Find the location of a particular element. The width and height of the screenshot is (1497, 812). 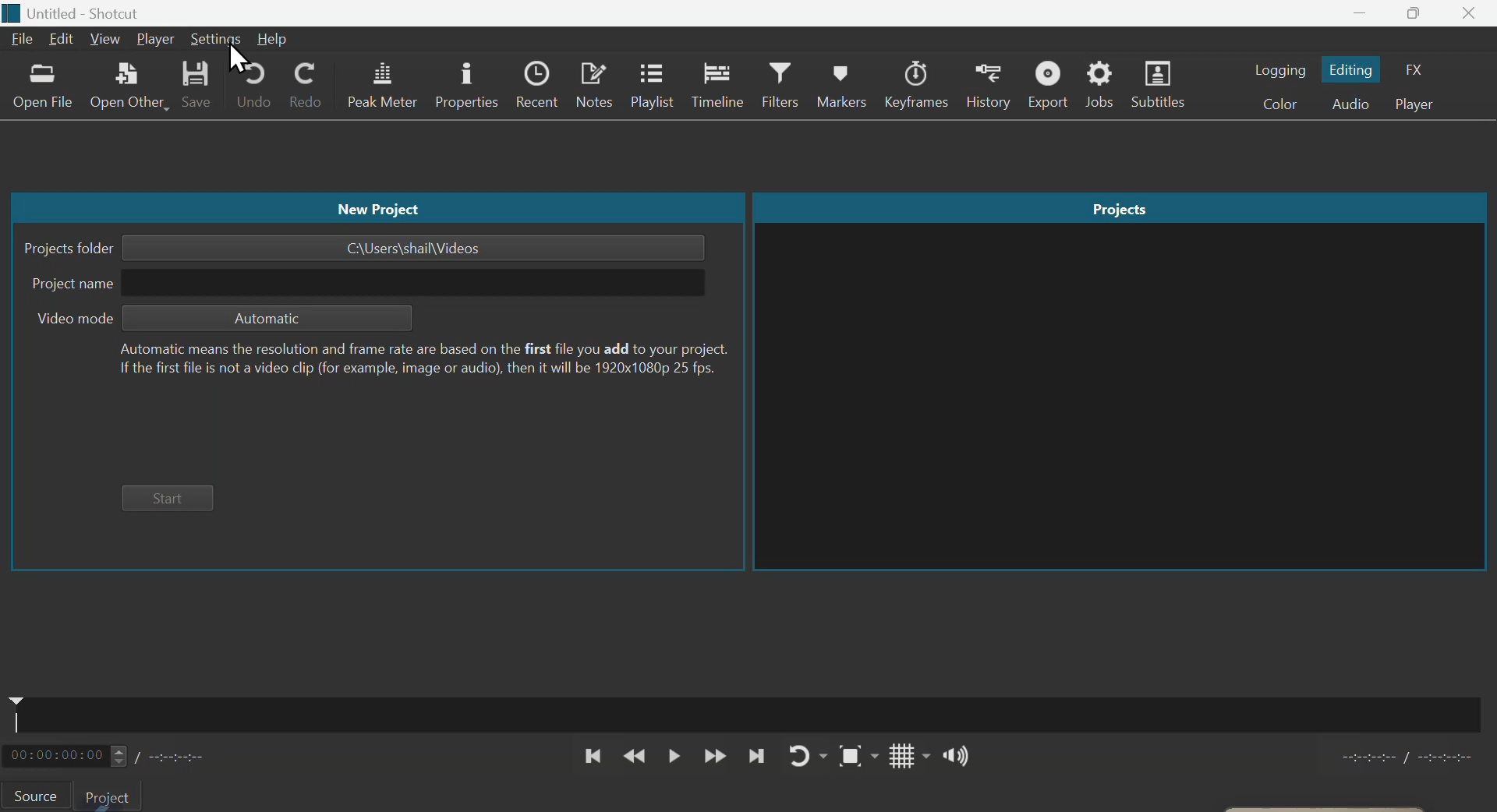

Subtitles is located at coordinates (1163, 85).